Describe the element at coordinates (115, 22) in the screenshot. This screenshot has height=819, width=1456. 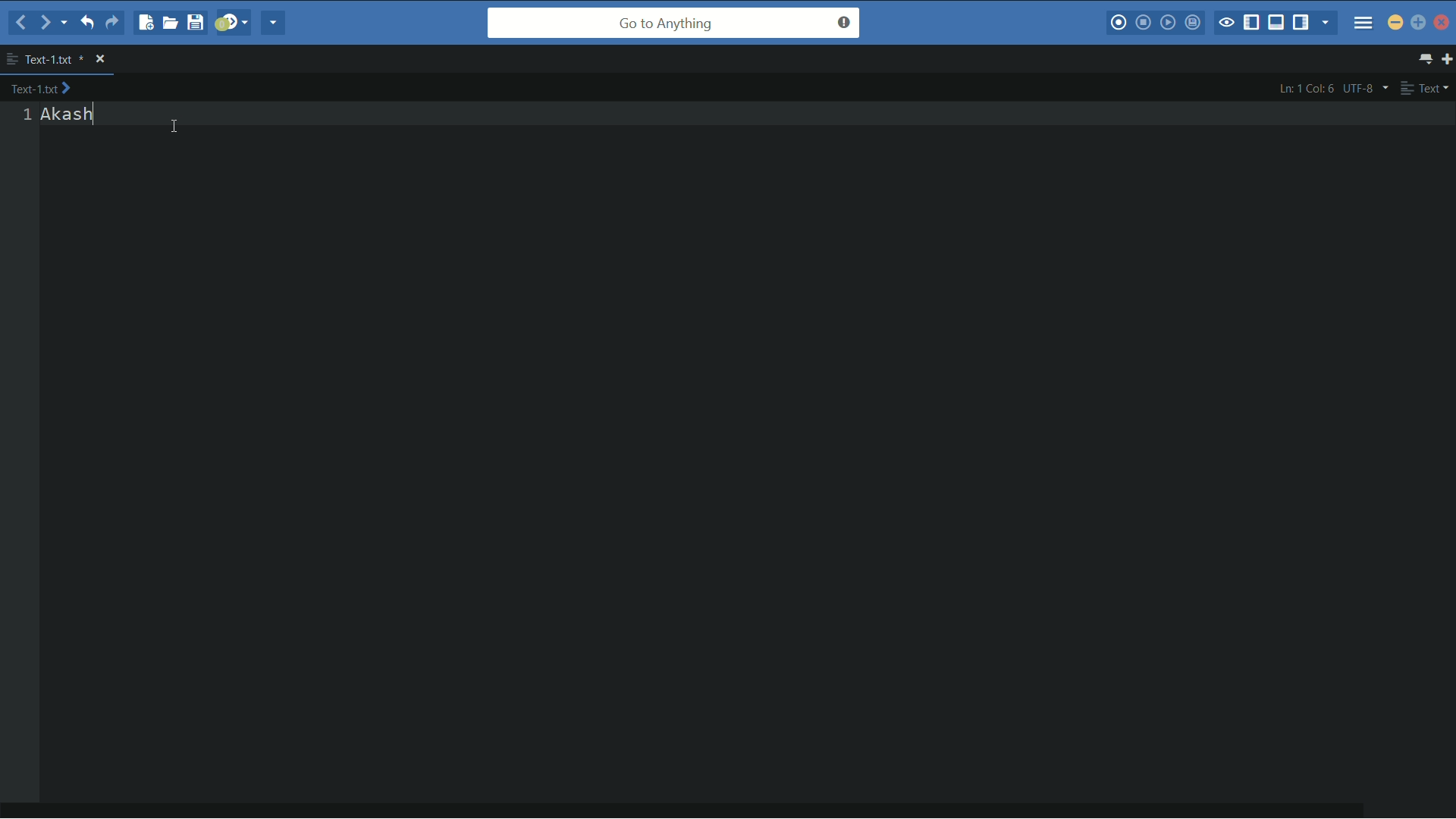
I see `redo` at that location.